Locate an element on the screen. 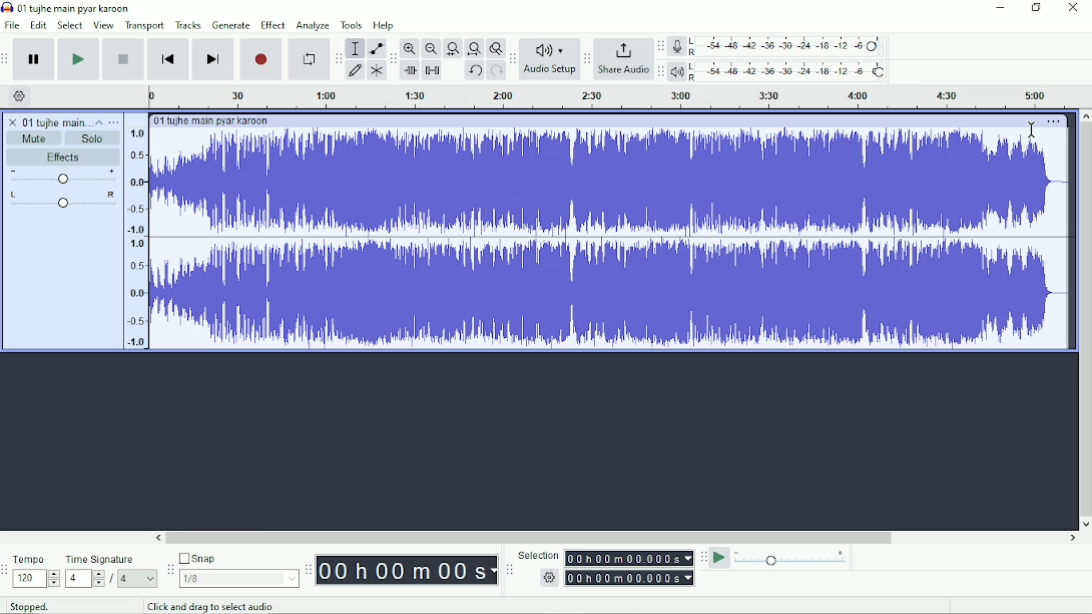 Image resolution: width=1092 pixels, height=614 pixels. Tracks is located at coordinates (189, 25).